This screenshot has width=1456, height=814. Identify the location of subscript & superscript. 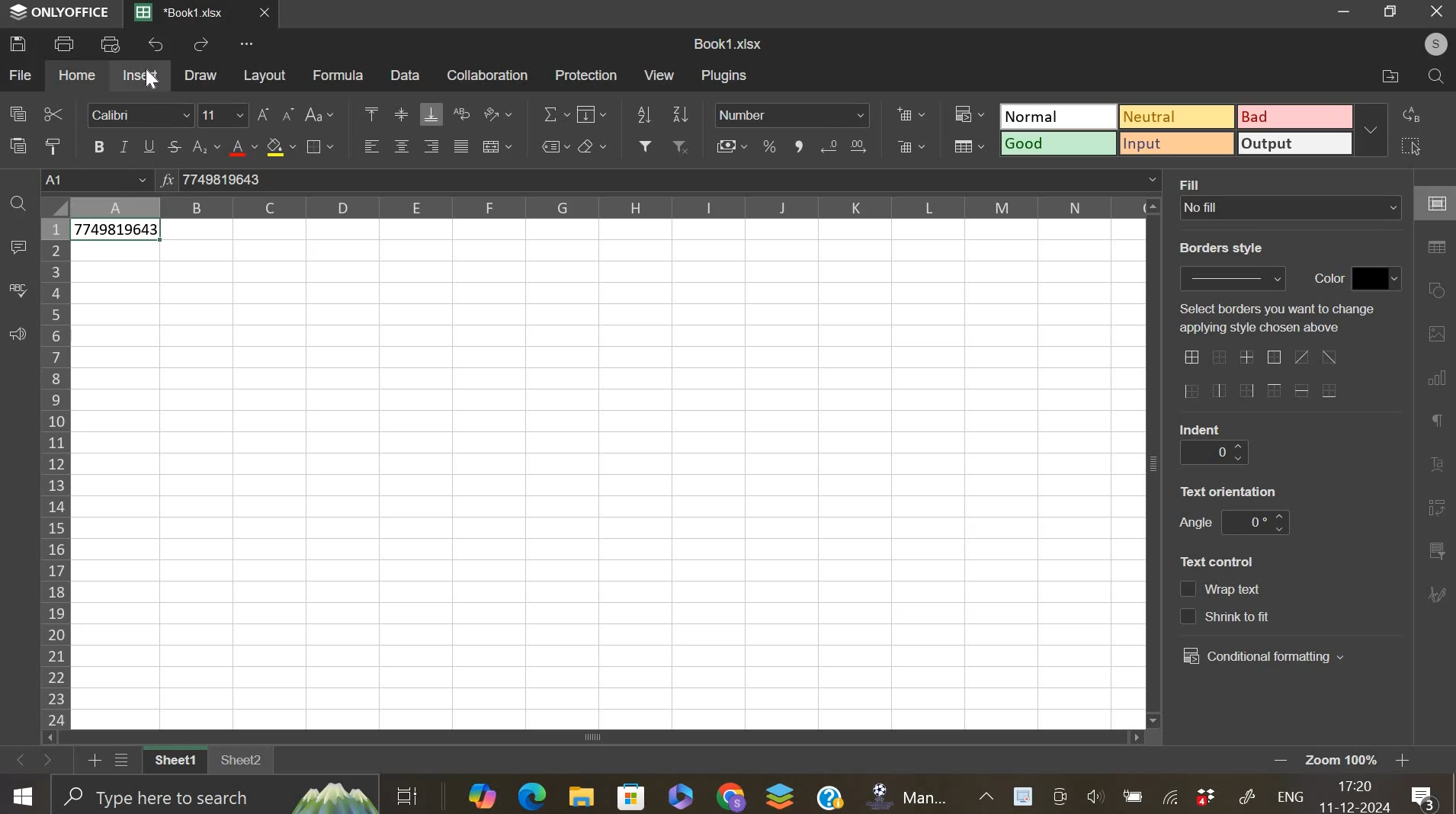
(209, 147).